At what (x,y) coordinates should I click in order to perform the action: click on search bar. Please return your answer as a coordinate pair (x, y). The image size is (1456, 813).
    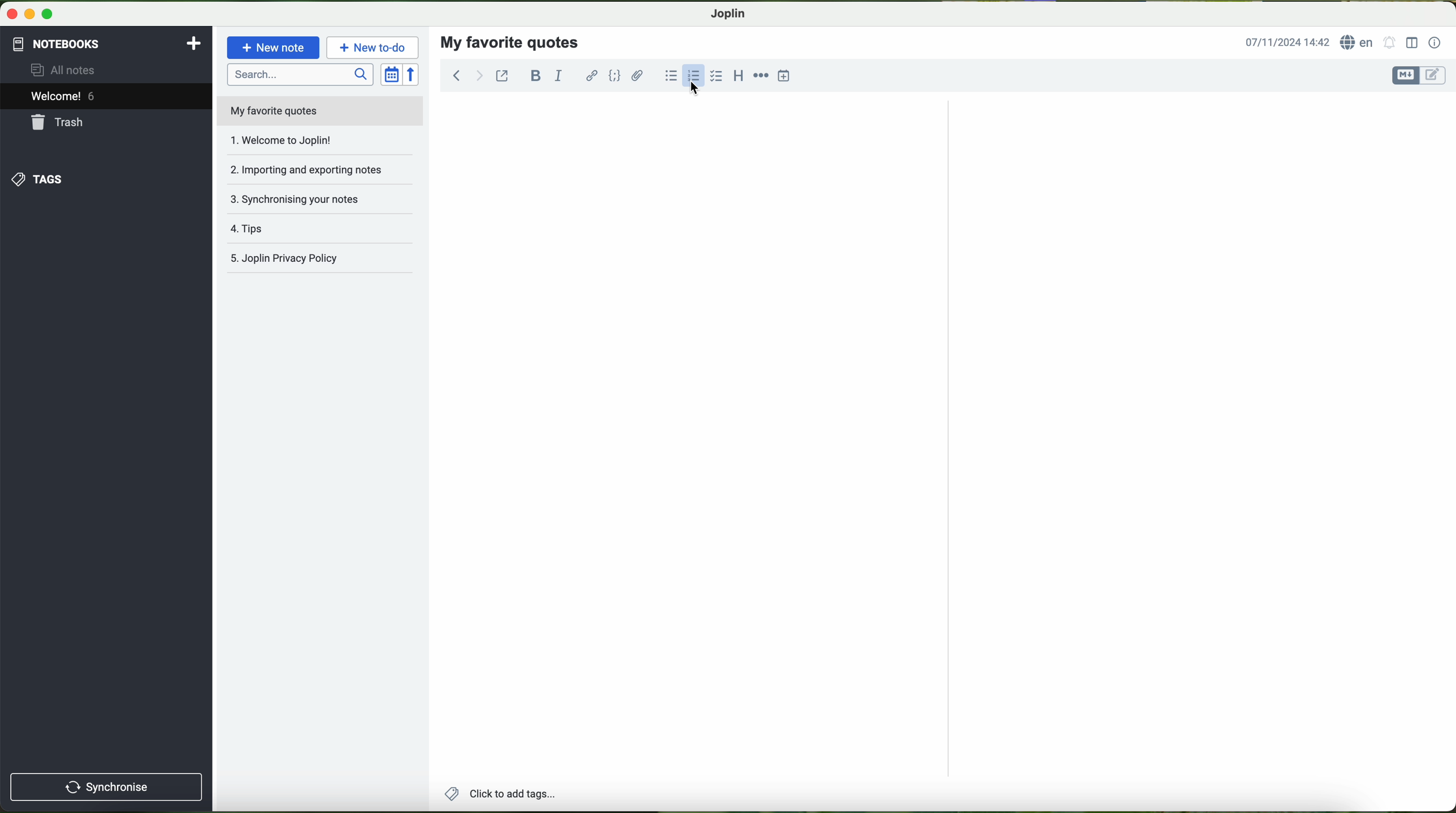
    Looking at the image, I should click on (298, 73).